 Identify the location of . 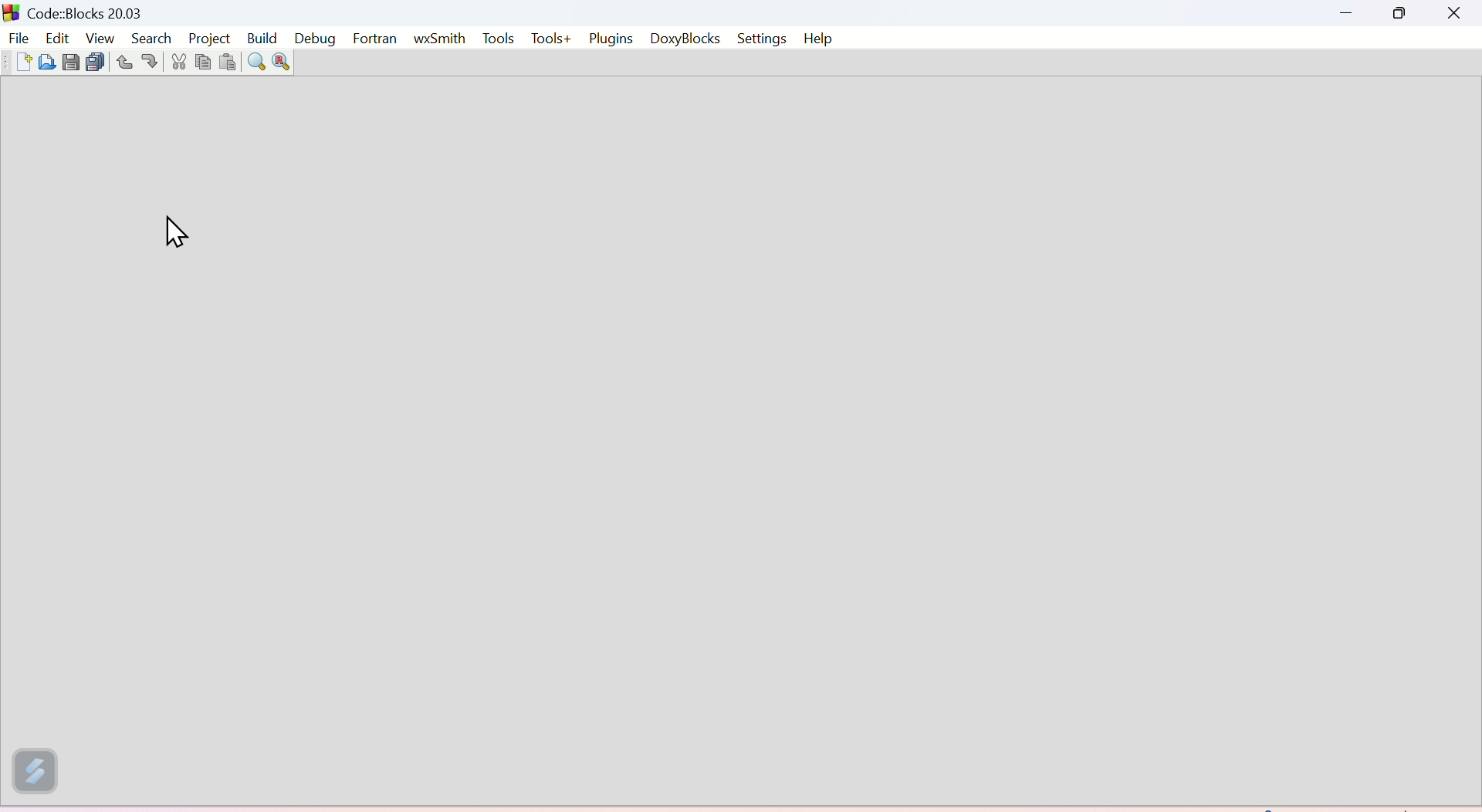
(97, 36).